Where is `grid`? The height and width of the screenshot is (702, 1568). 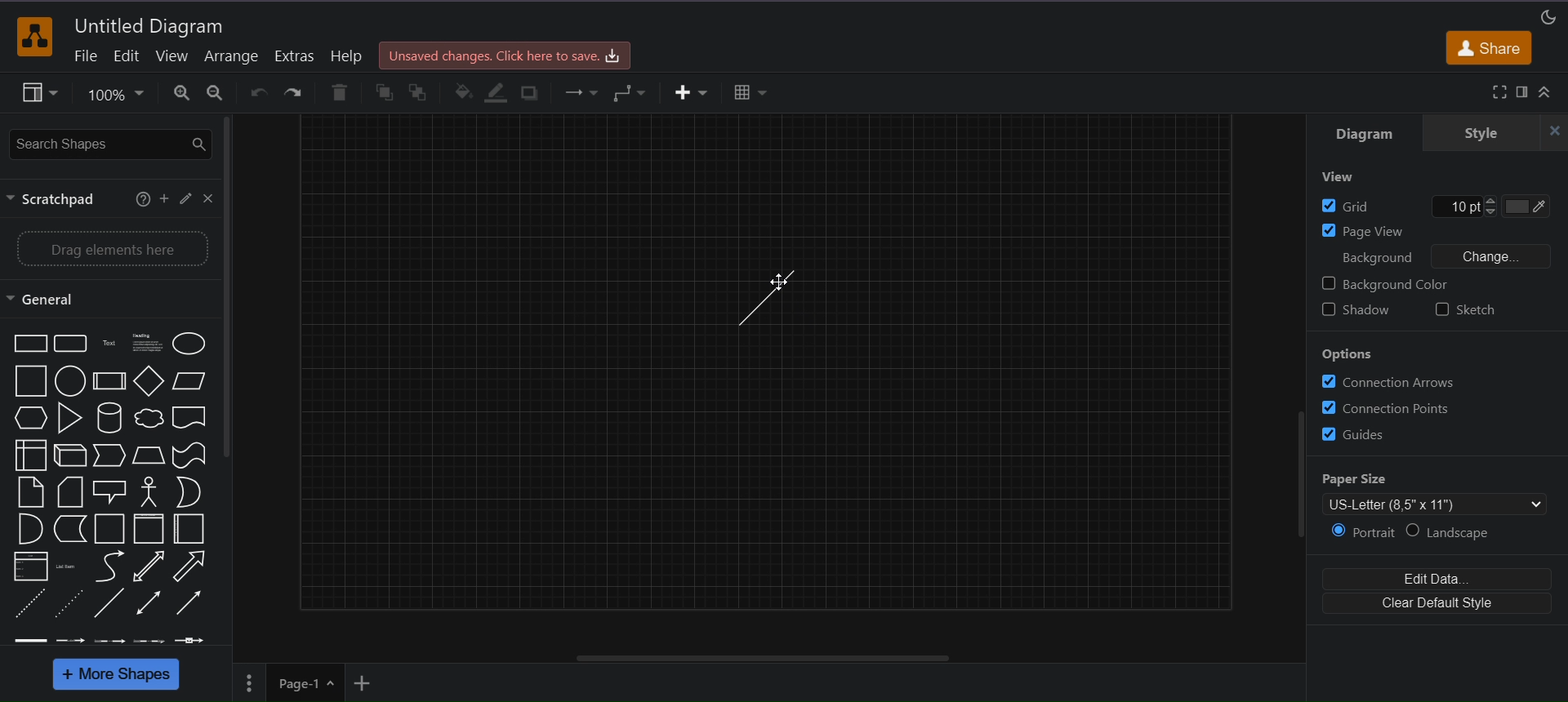 grid is located at coordinates (1434, 207).